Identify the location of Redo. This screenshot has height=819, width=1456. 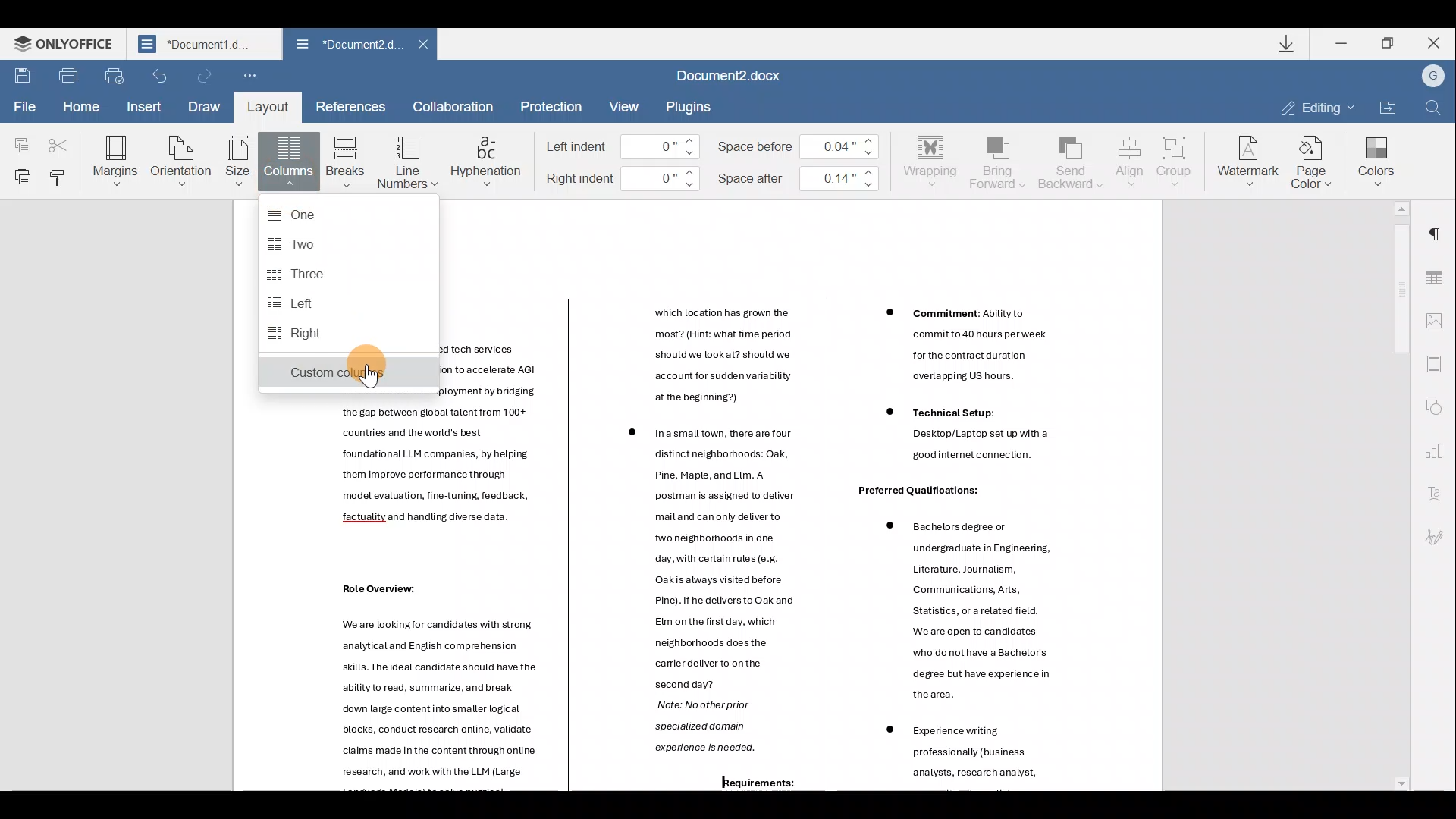
(206, 77).